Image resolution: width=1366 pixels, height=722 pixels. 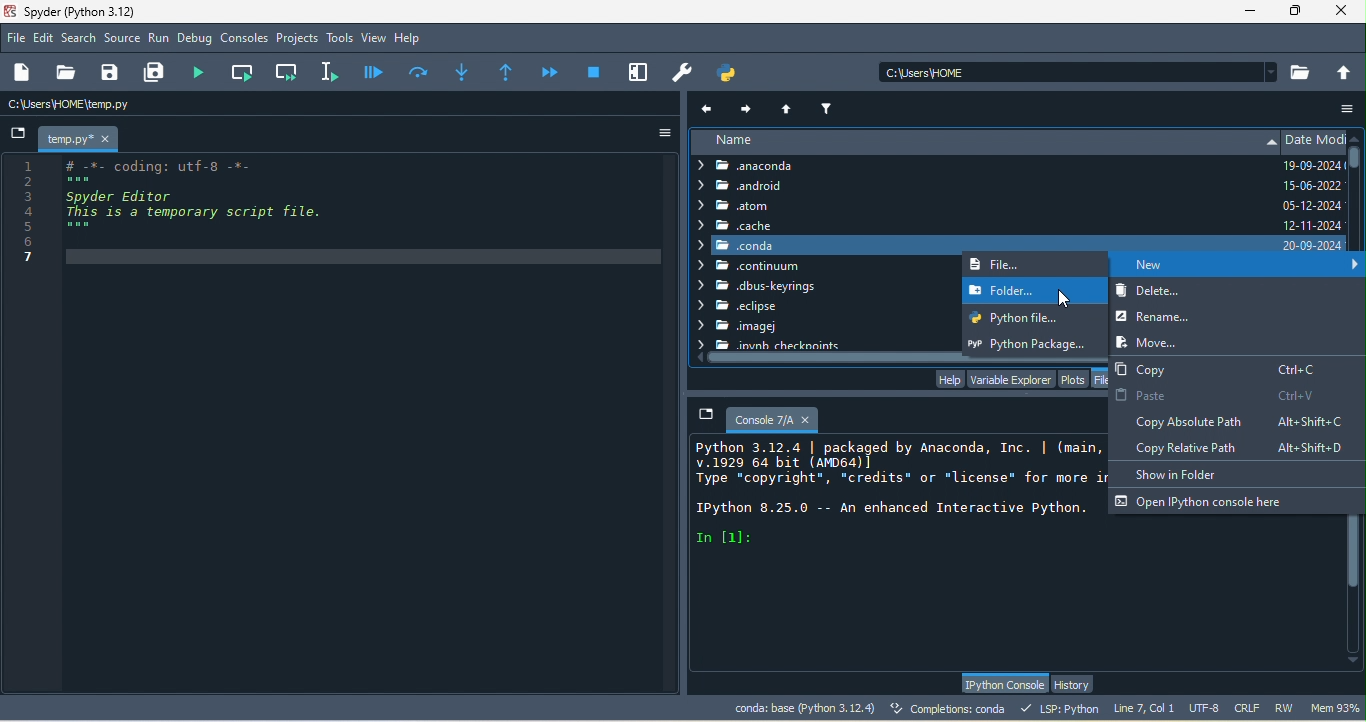 What do you see at coordinates (983, 244) in the screenshot?
I see `conda` at bounding box center [983, 244].